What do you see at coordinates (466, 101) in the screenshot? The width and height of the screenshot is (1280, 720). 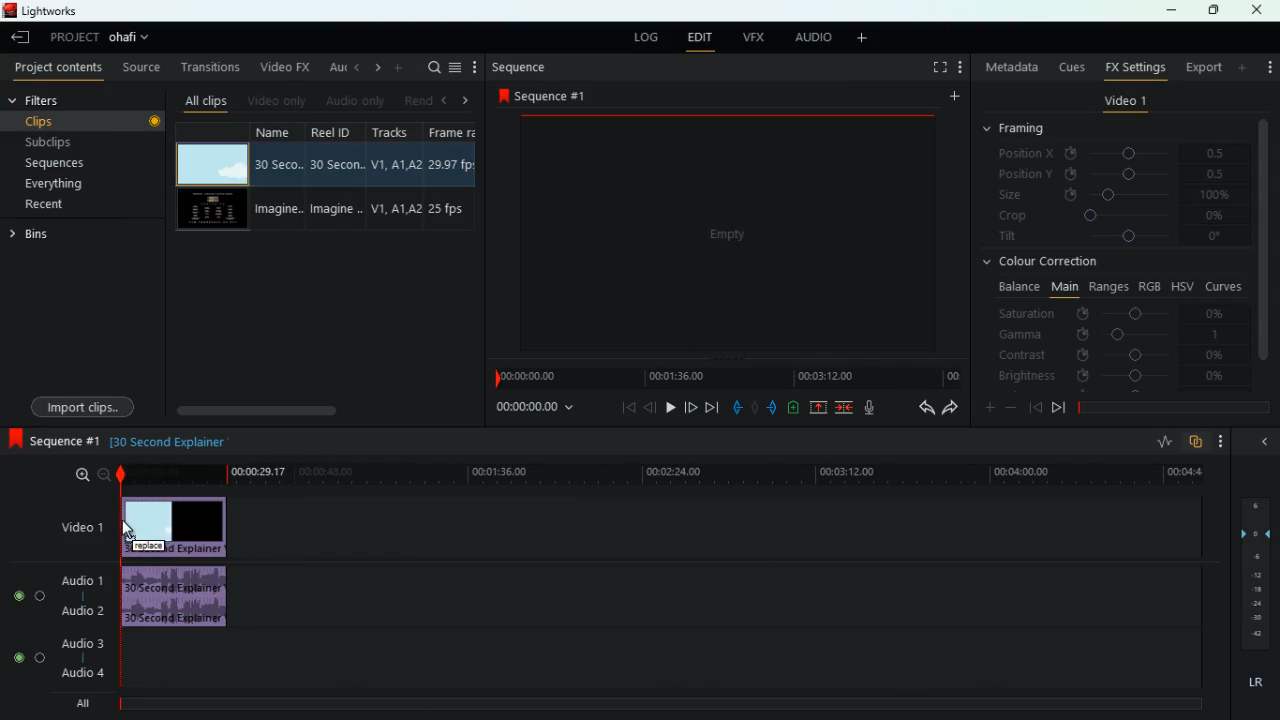 I see `right` at bounding box center [466, 101].